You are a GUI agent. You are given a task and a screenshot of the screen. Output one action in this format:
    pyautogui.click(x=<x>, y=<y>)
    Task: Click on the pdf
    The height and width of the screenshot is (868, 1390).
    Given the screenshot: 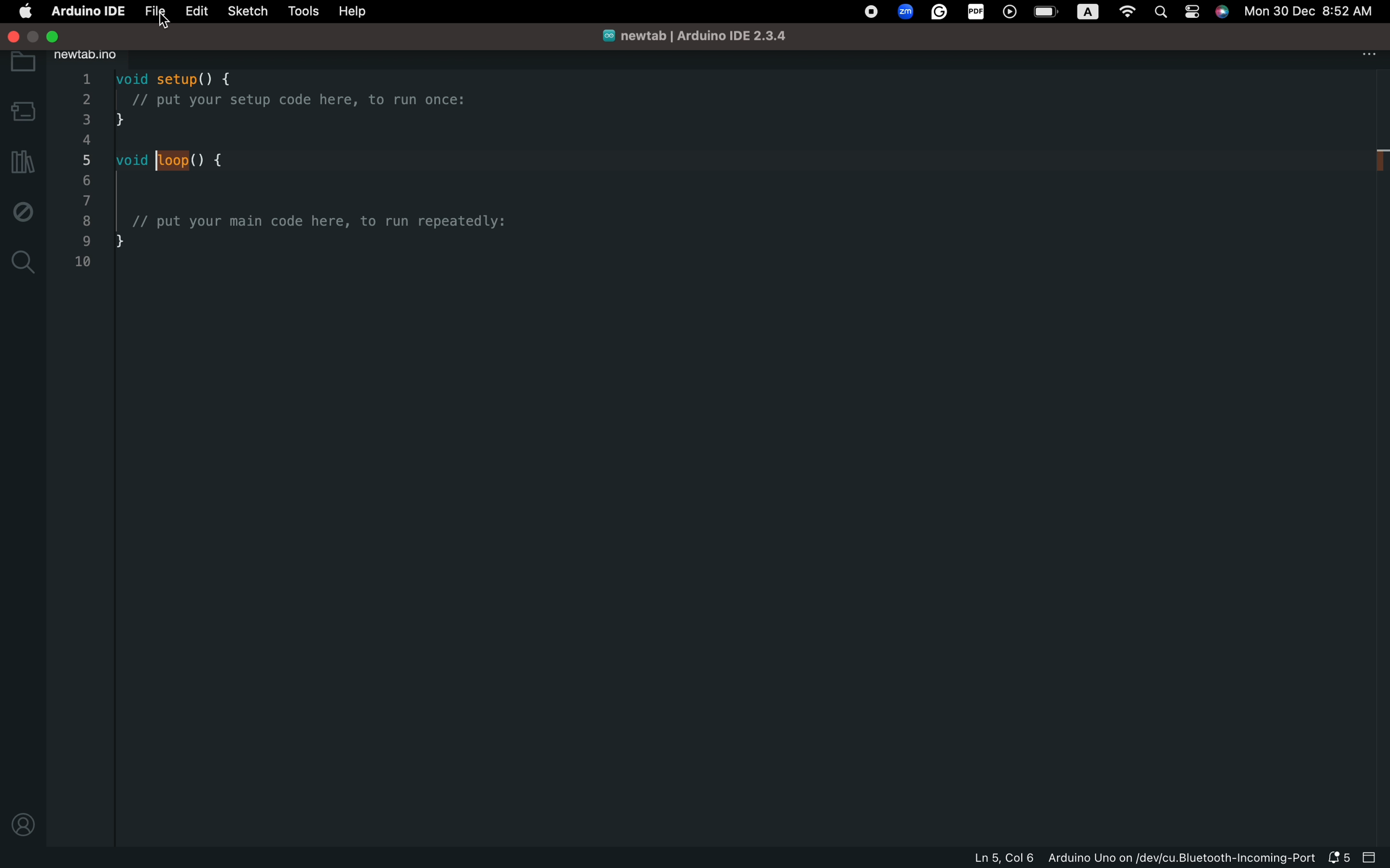 What is the action you would take?
    pyautogui.click(x=978, y=12)
    